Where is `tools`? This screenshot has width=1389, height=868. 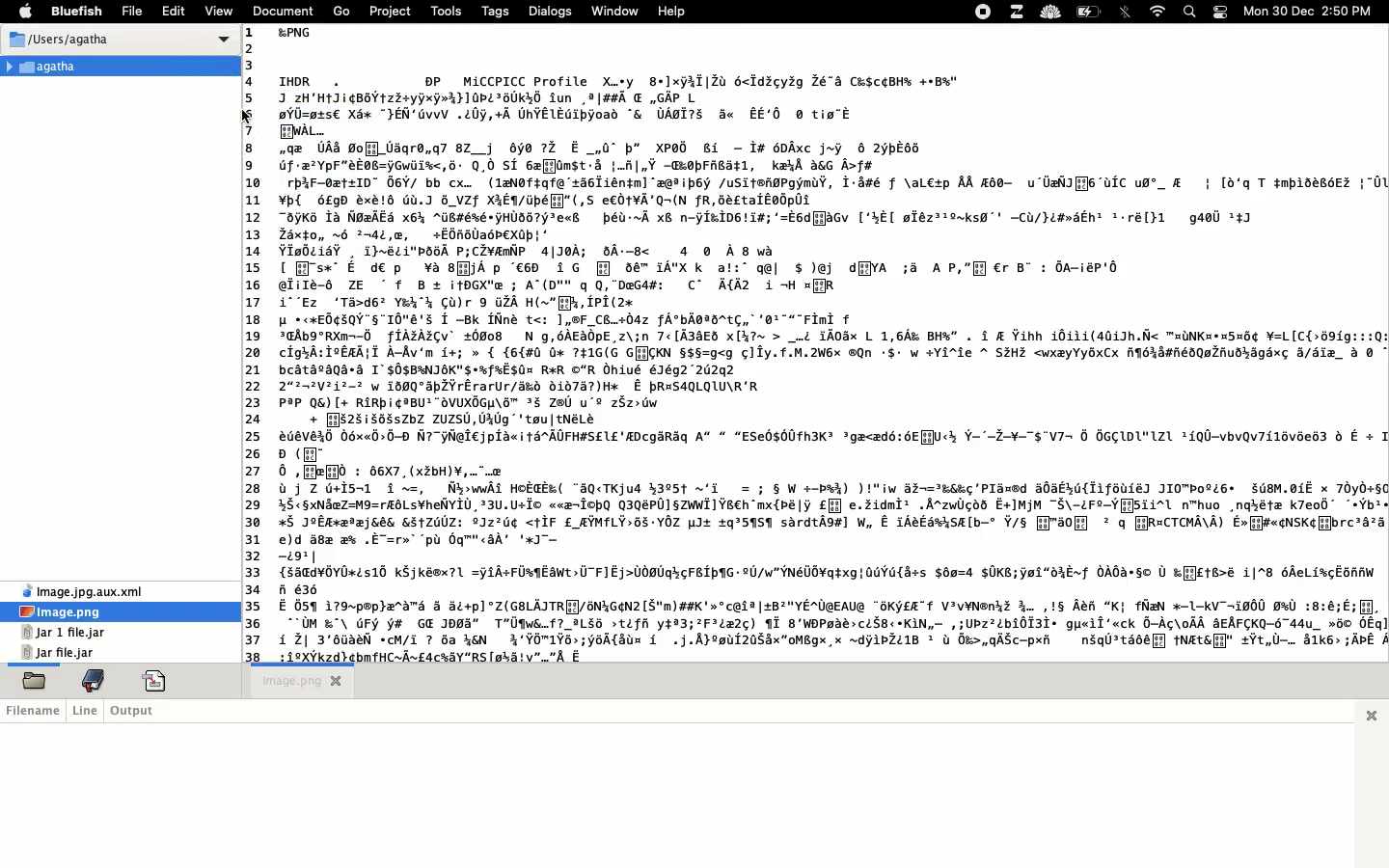
tools is located at coordinates (447, 11).